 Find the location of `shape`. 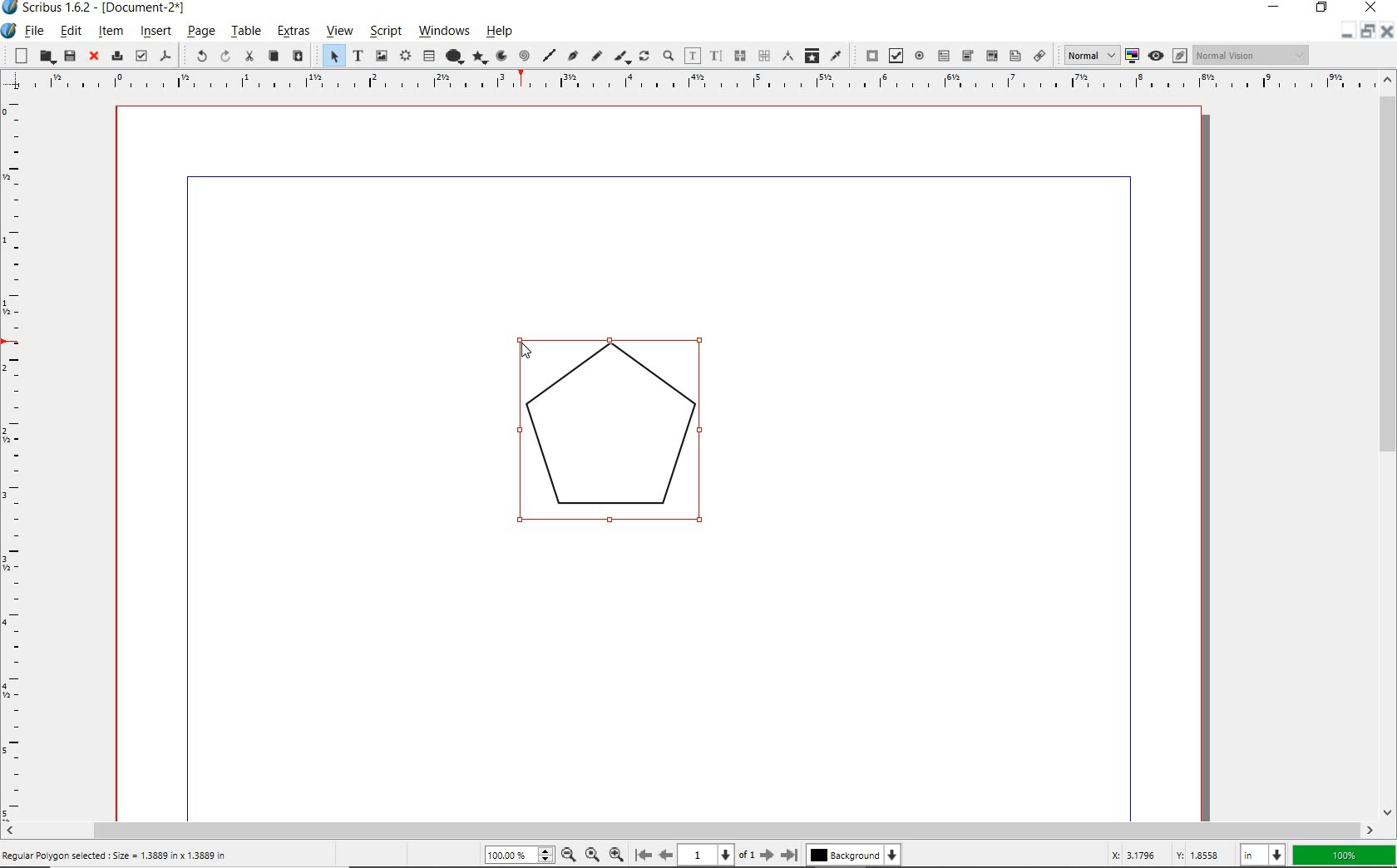

shape is located at coordinates (456, 54).